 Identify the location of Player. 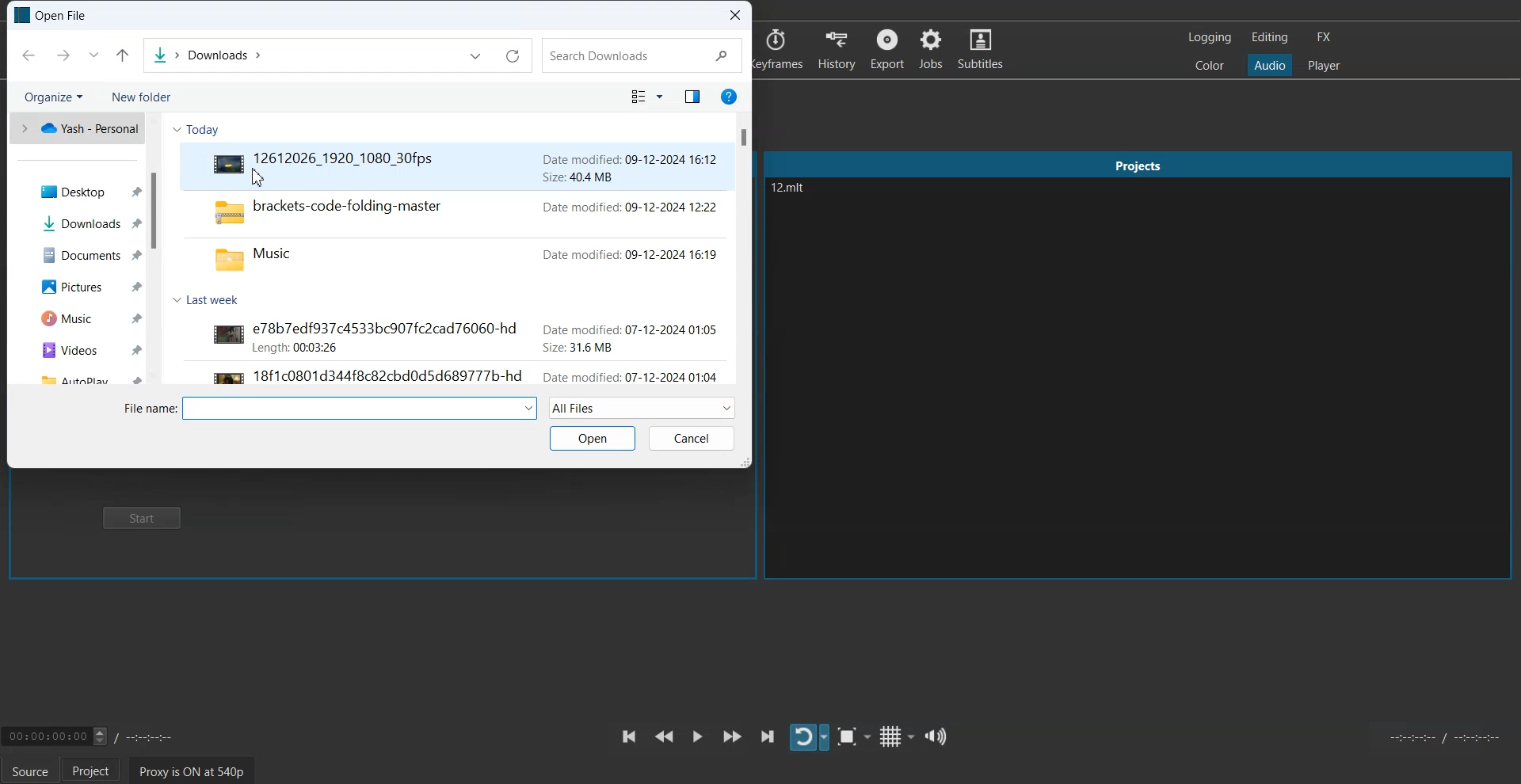
(1324, 66).